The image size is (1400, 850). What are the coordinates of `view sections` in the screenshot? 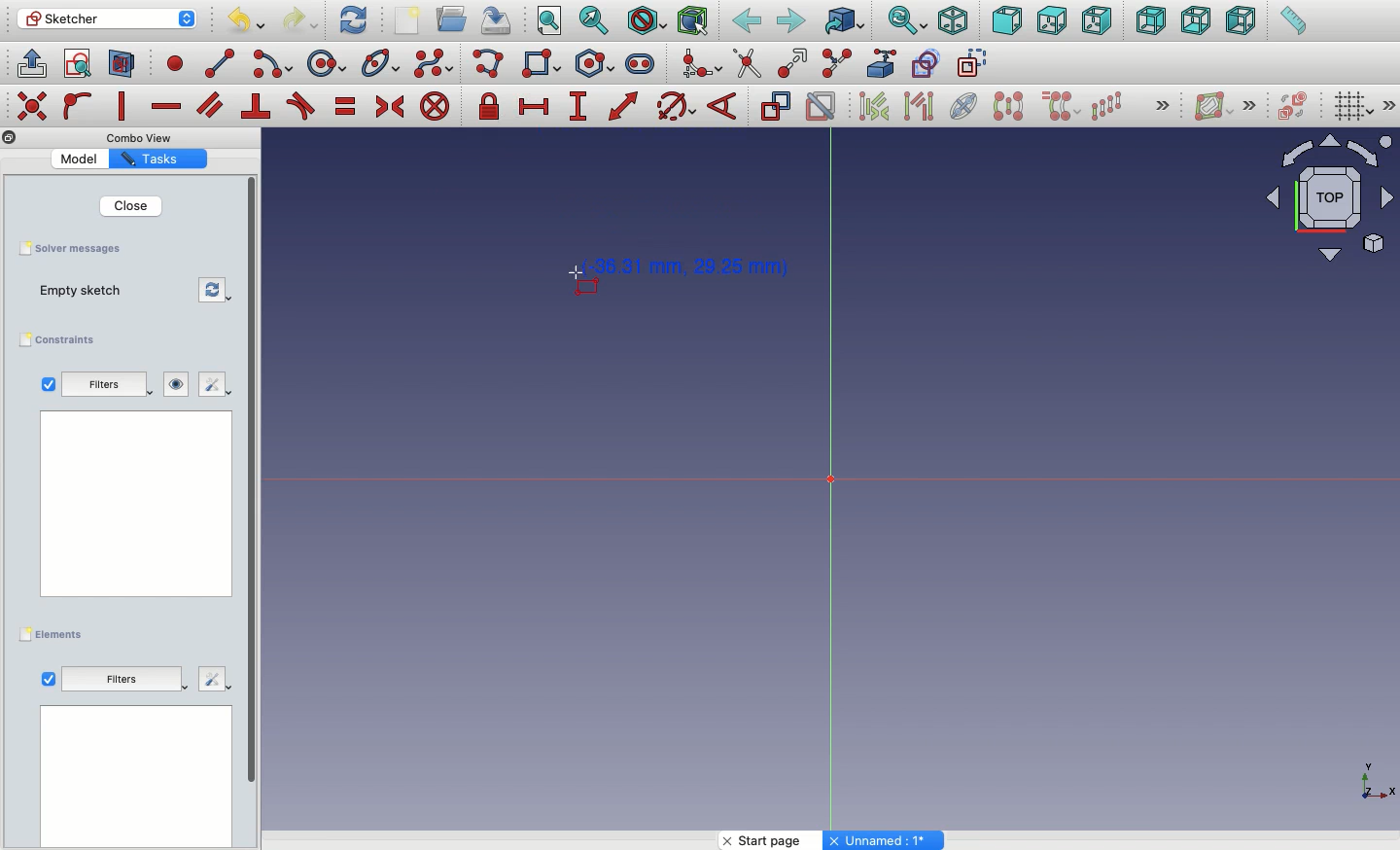 It's located at (126, 65).